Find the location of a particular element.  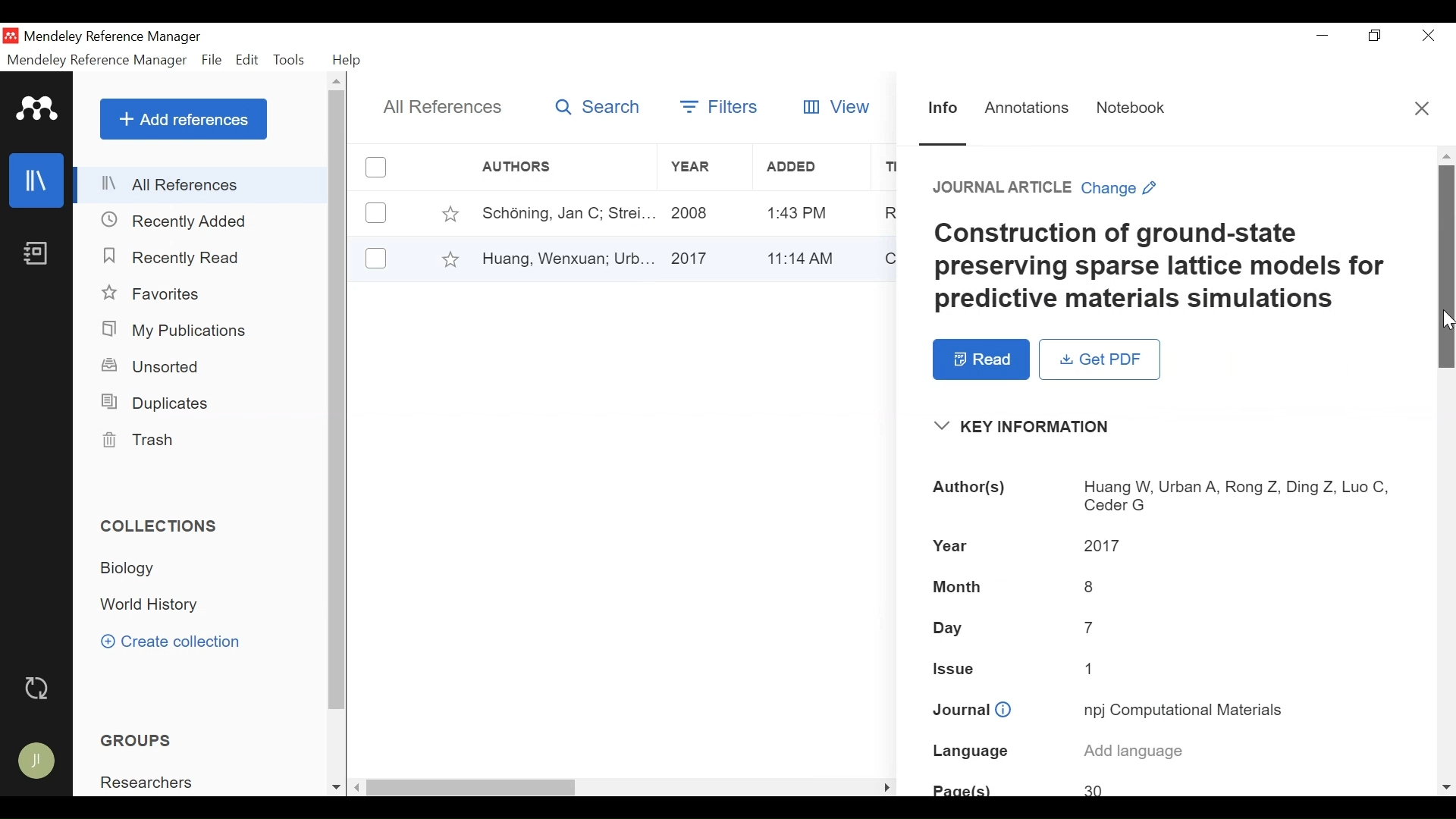

File is located at coordinates (212, 61).